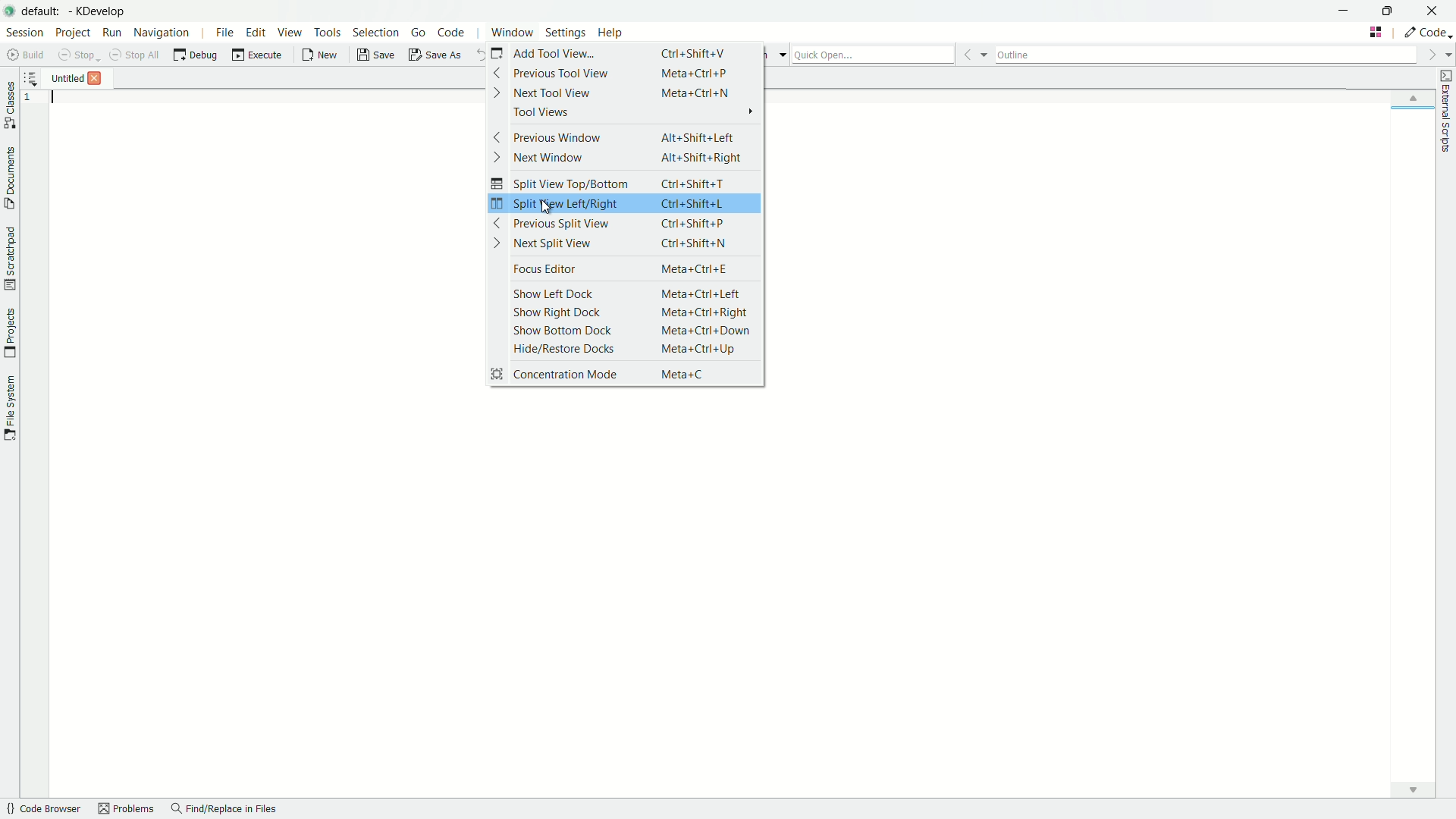  I want to click on Meta+C, so click(688, 375).